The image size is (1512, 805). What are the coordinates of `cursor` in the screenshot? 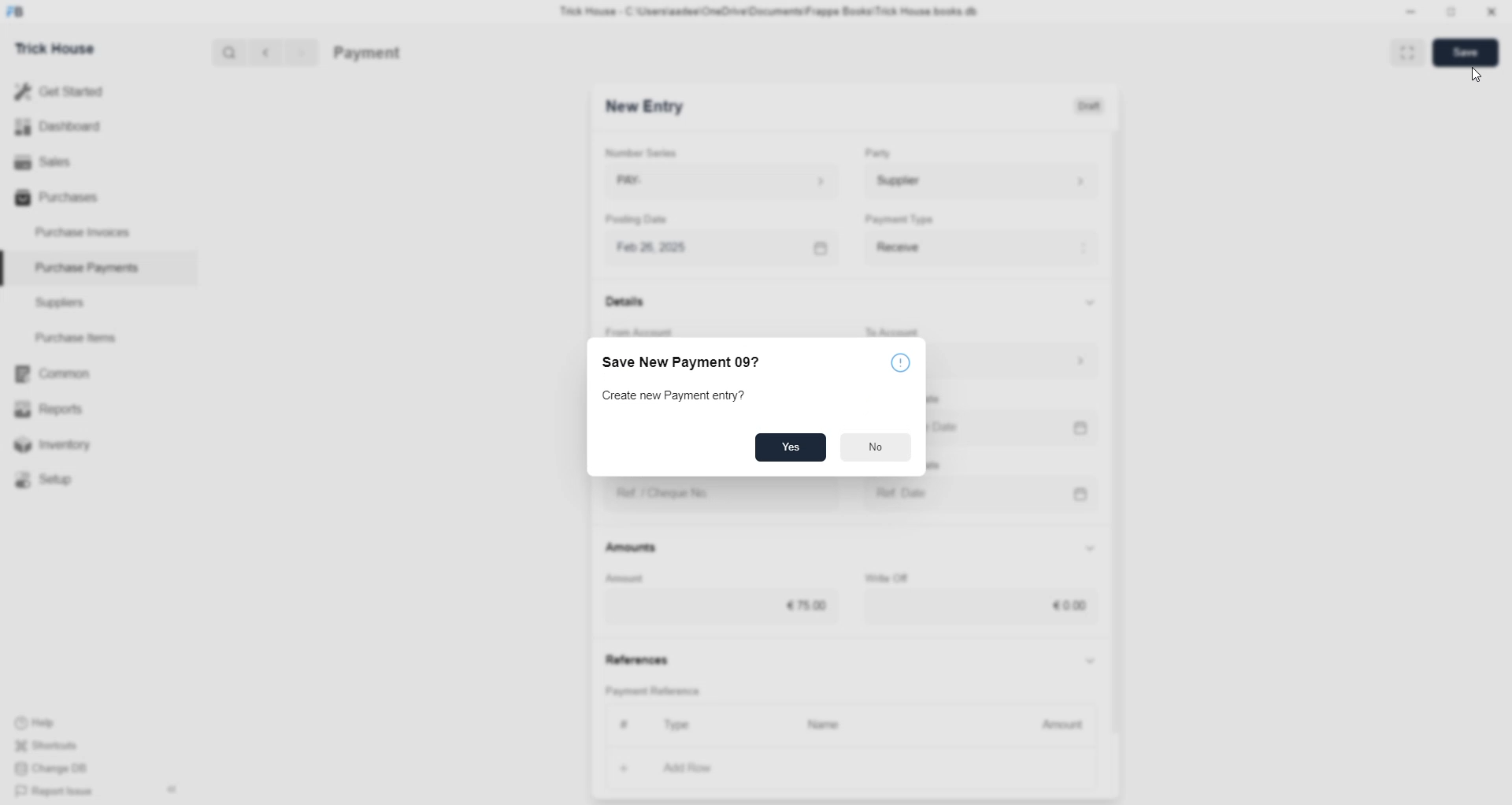 It's located at (1473, 76).